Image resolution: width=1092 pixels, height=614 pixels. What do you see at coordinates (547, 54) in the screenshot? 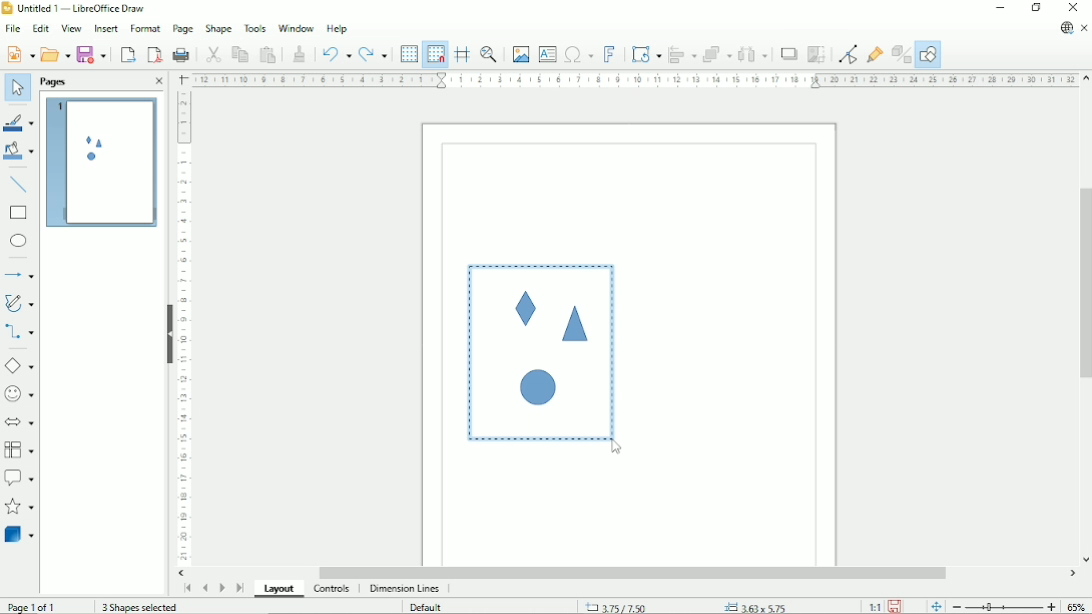
I see `Insert text box` at bounding box center [547, 54].